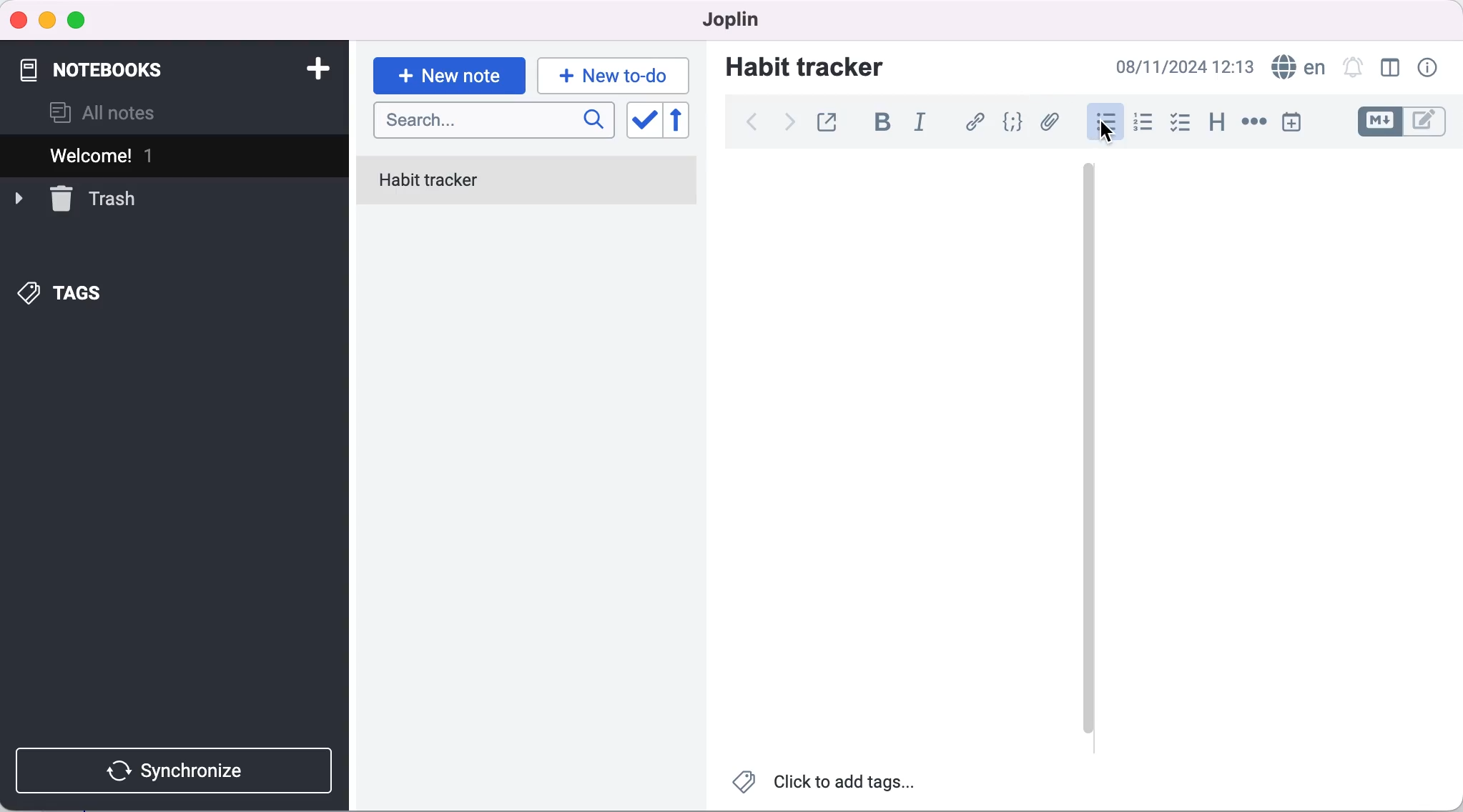  What do you see at coordinates (79, 21) in the screenshot?
I see `maximize` at bounding box center [79, 21].